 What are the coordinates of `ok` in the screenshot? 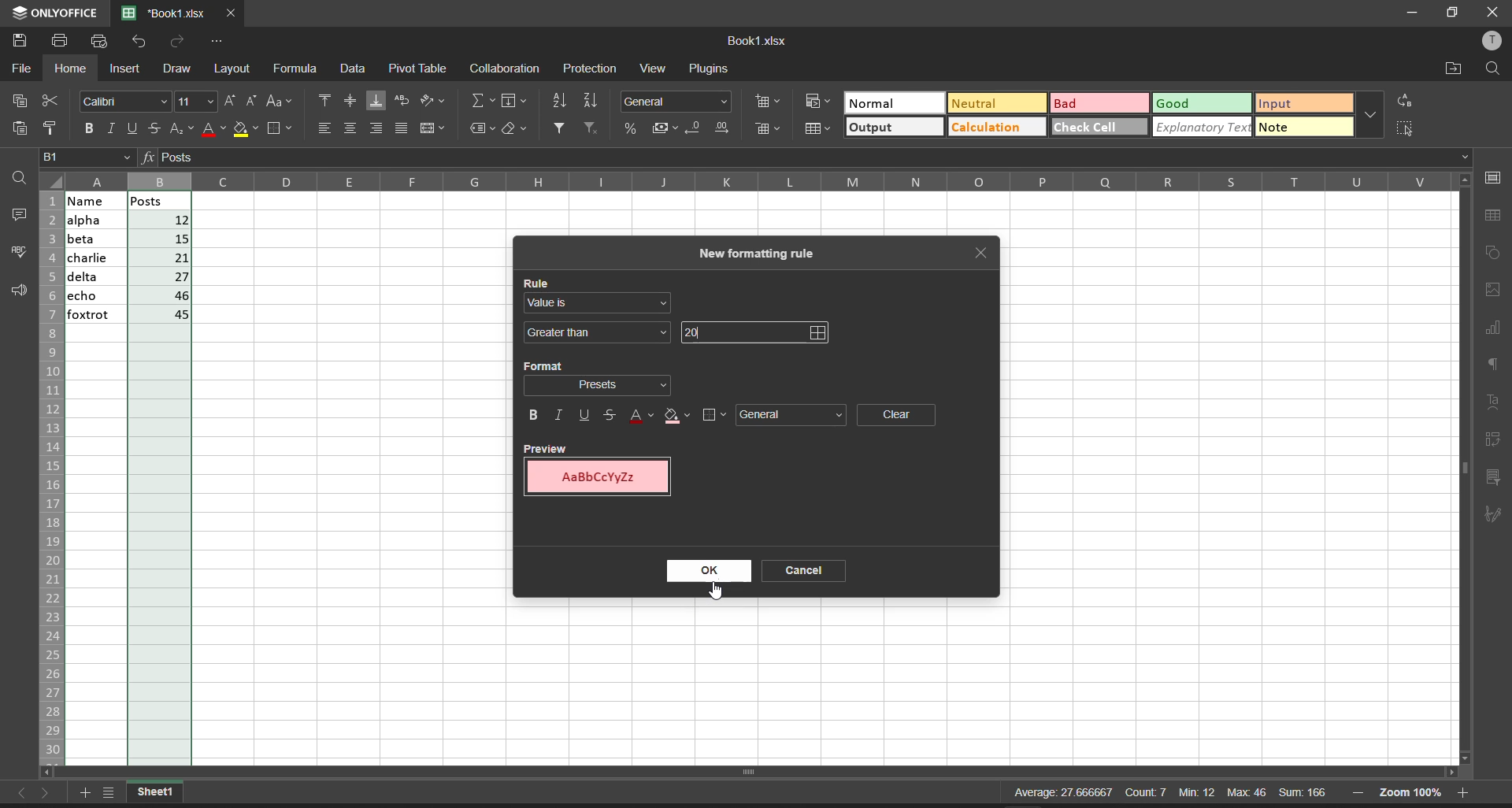 It's located at (701, 571).